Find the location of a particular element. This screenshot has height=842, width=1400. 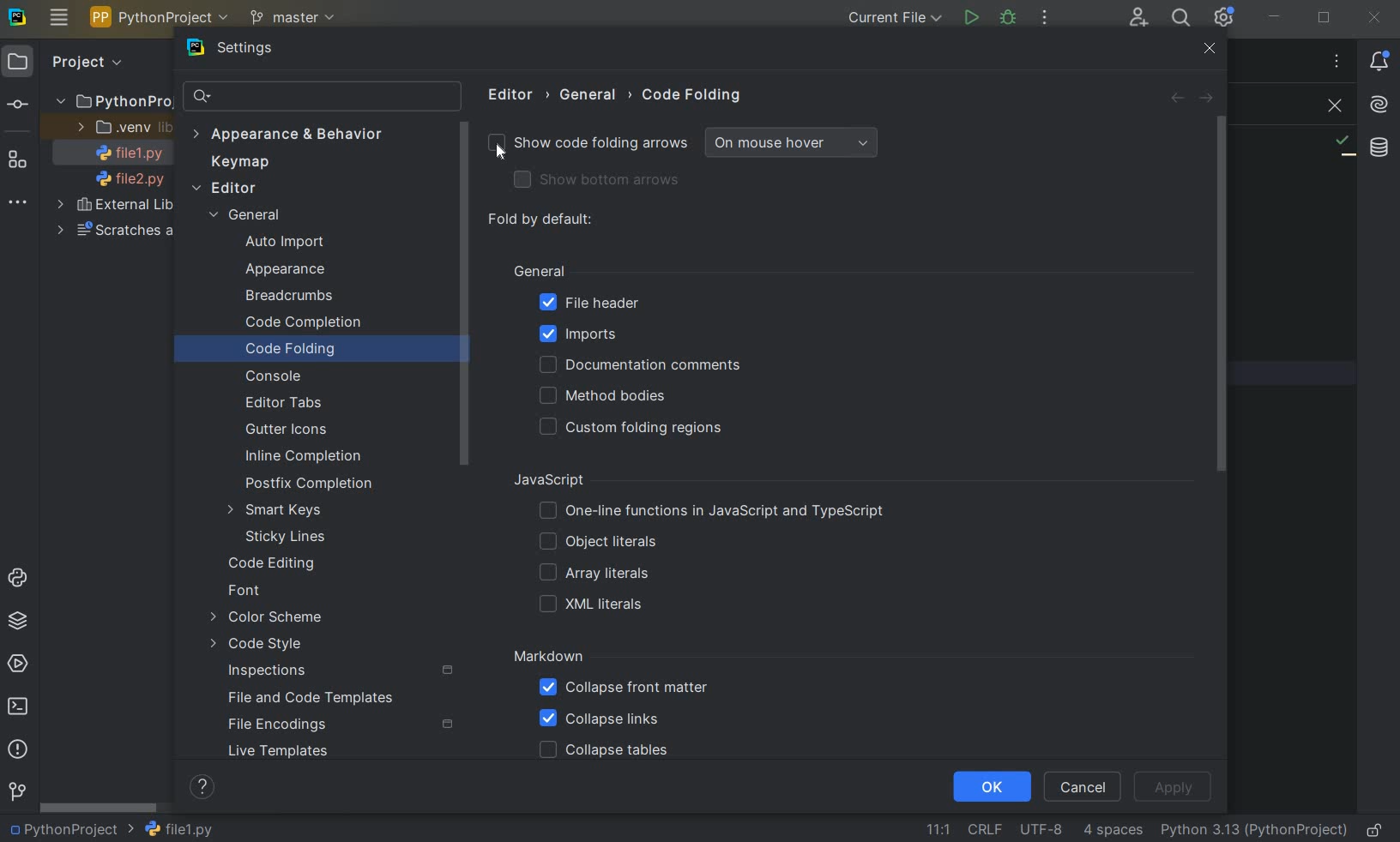

POSTFIX COMPLETION is located at coordinates (306, 485).